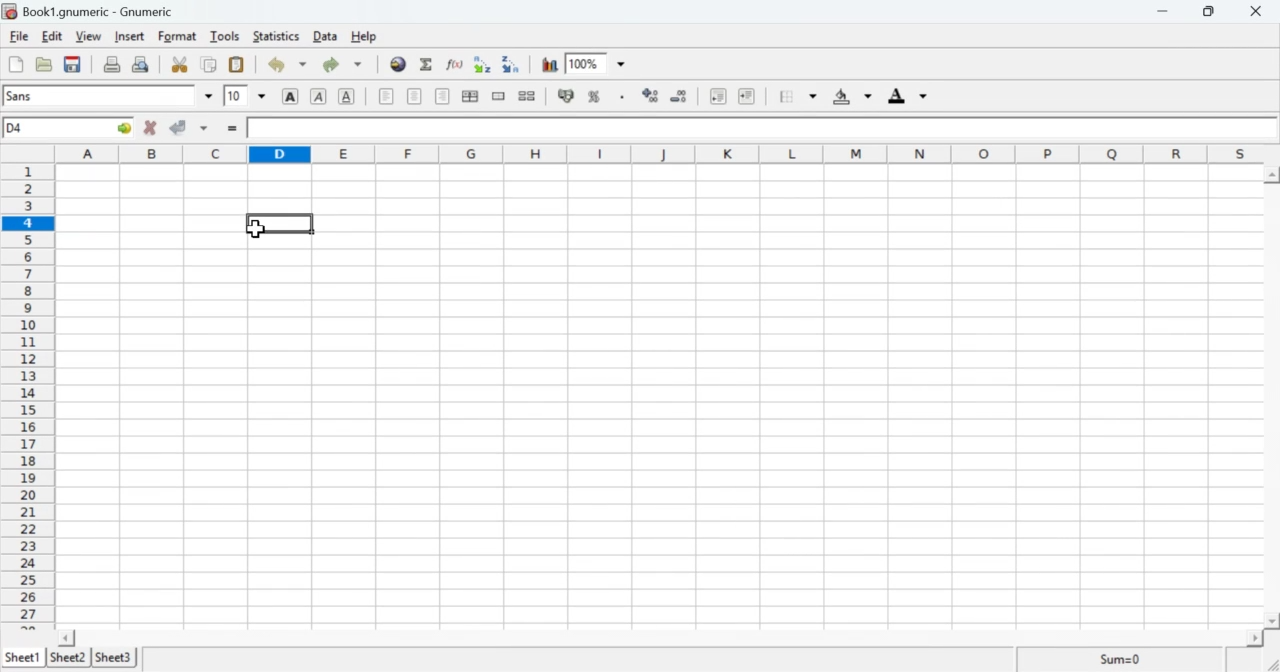 The height and width of the screenshot is (672, 1280). What do you see at coordinates (716, 98) in the screenshot?
I see `Decrease Indent` at bounding box center [716, 98].